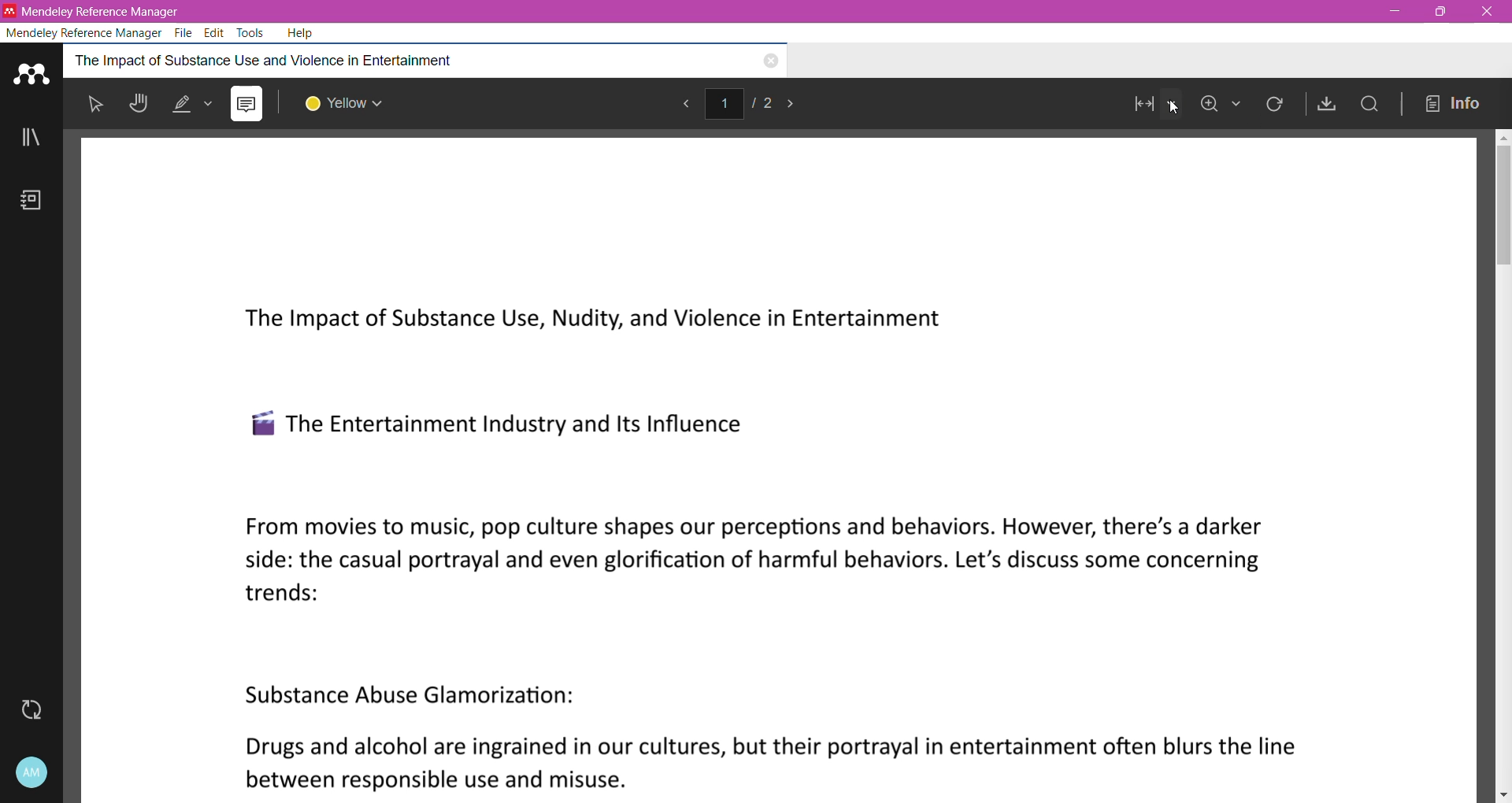 The height and width of the screenshot is (803, 1512). I want to click on Pointer Mode, so click(99, 107).